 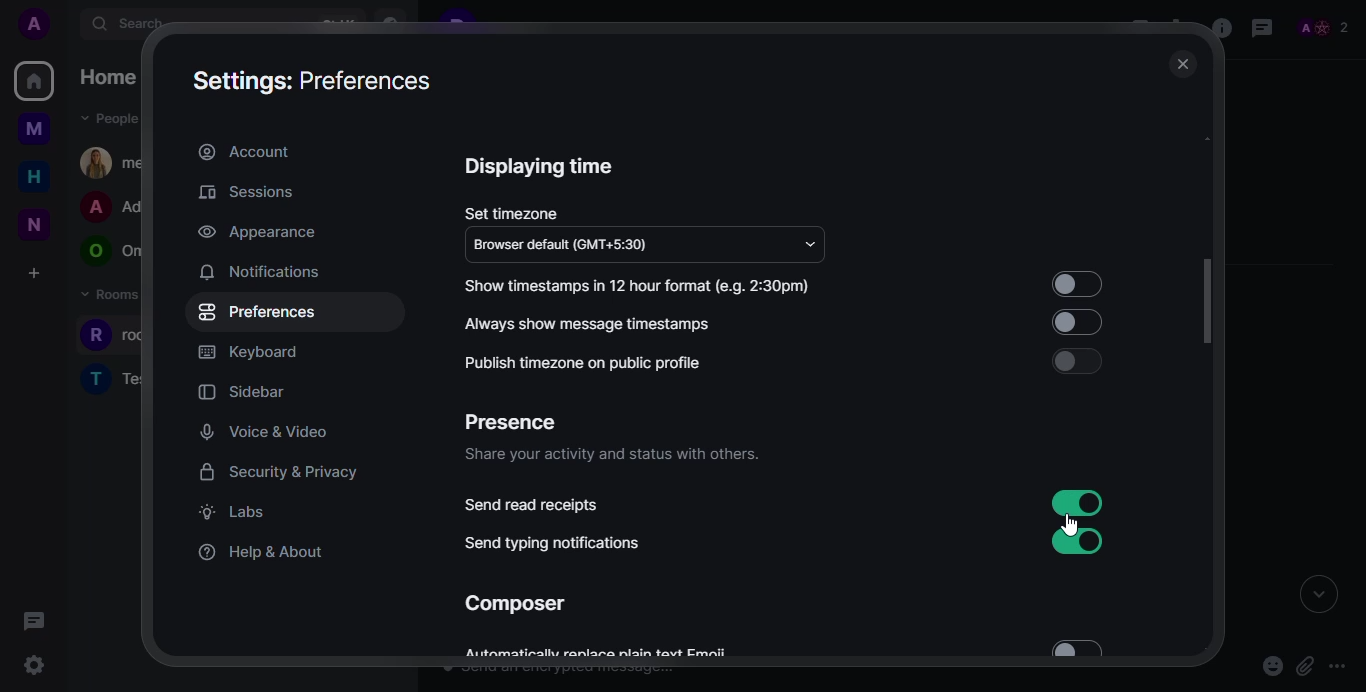 What do you see at coordinates (35, 24) in the screenshot?
I see `profile` at bounding box center [35, 24].